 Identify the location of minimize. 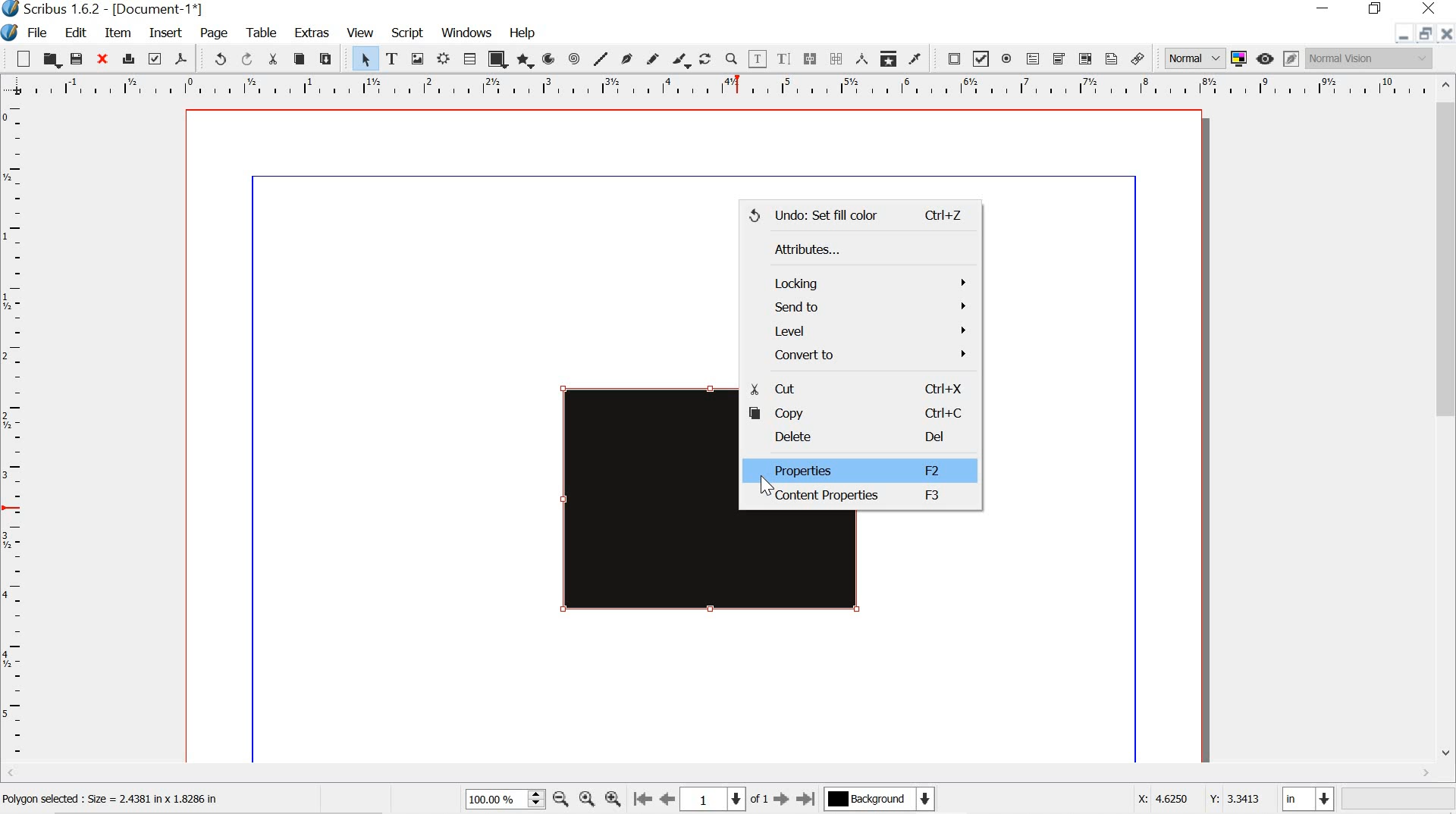
(1401, 36).